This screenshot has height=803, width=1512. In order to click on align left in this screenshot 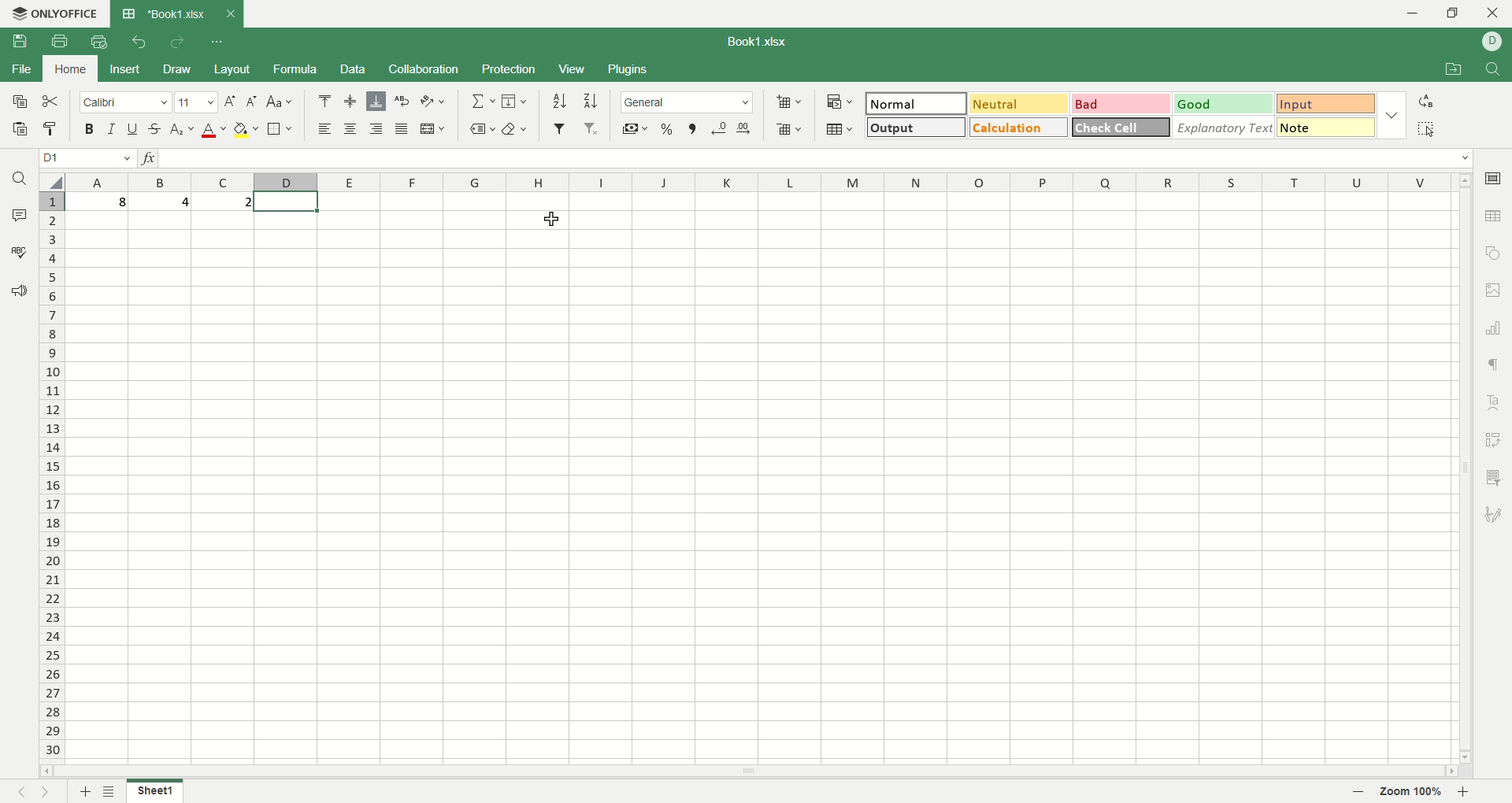, I will do `click(326, 128)`.